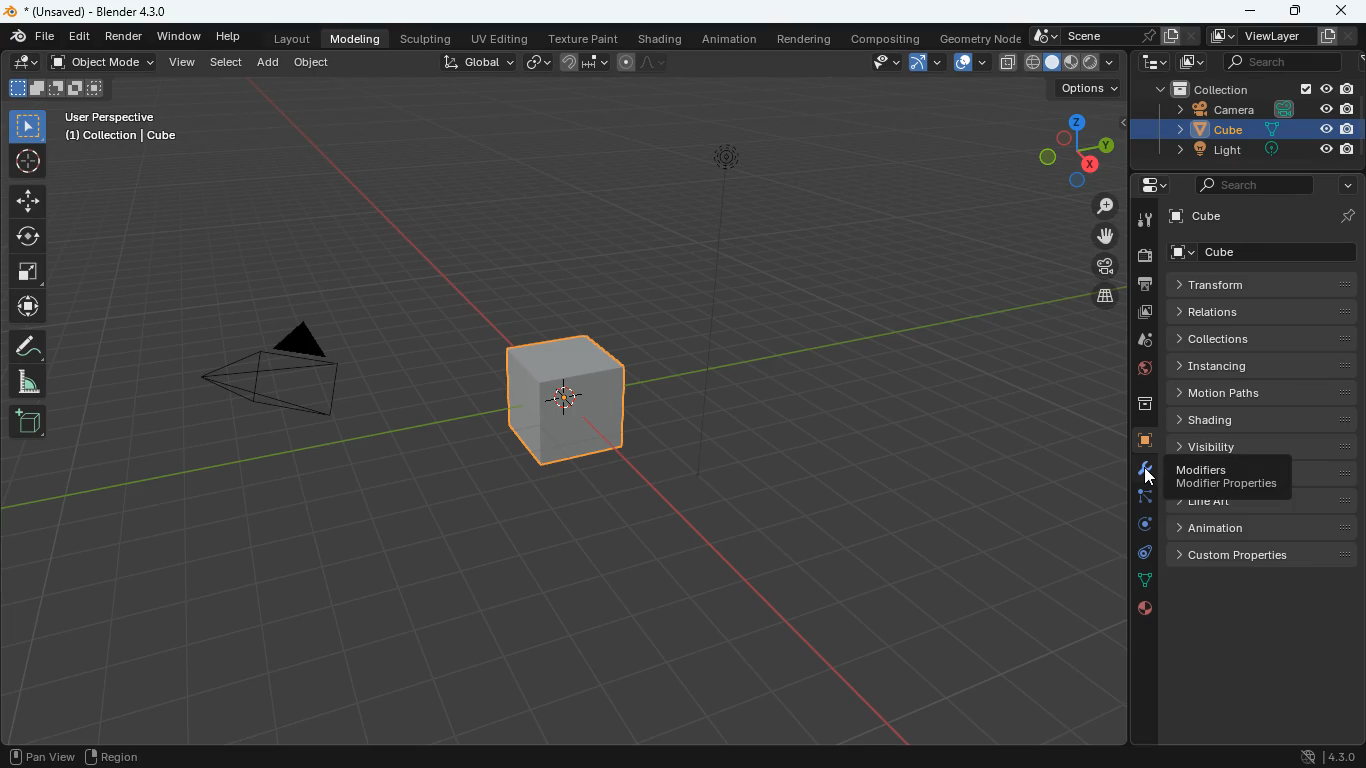  Describe the element at coordinates (1276, 36) in the screenshot. I see `viewlayer` at that location.